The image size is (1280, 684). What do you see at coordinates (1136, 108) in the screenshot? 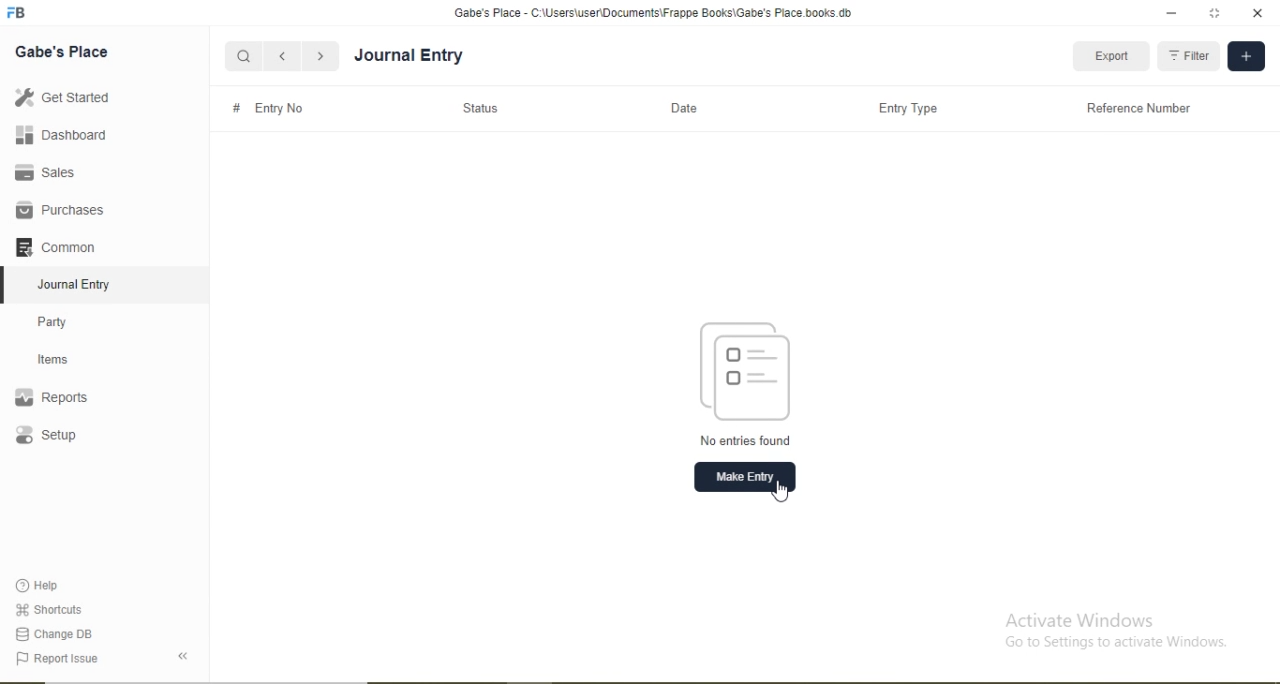
I see `Reference Number` at bounding box center [1136, 108].